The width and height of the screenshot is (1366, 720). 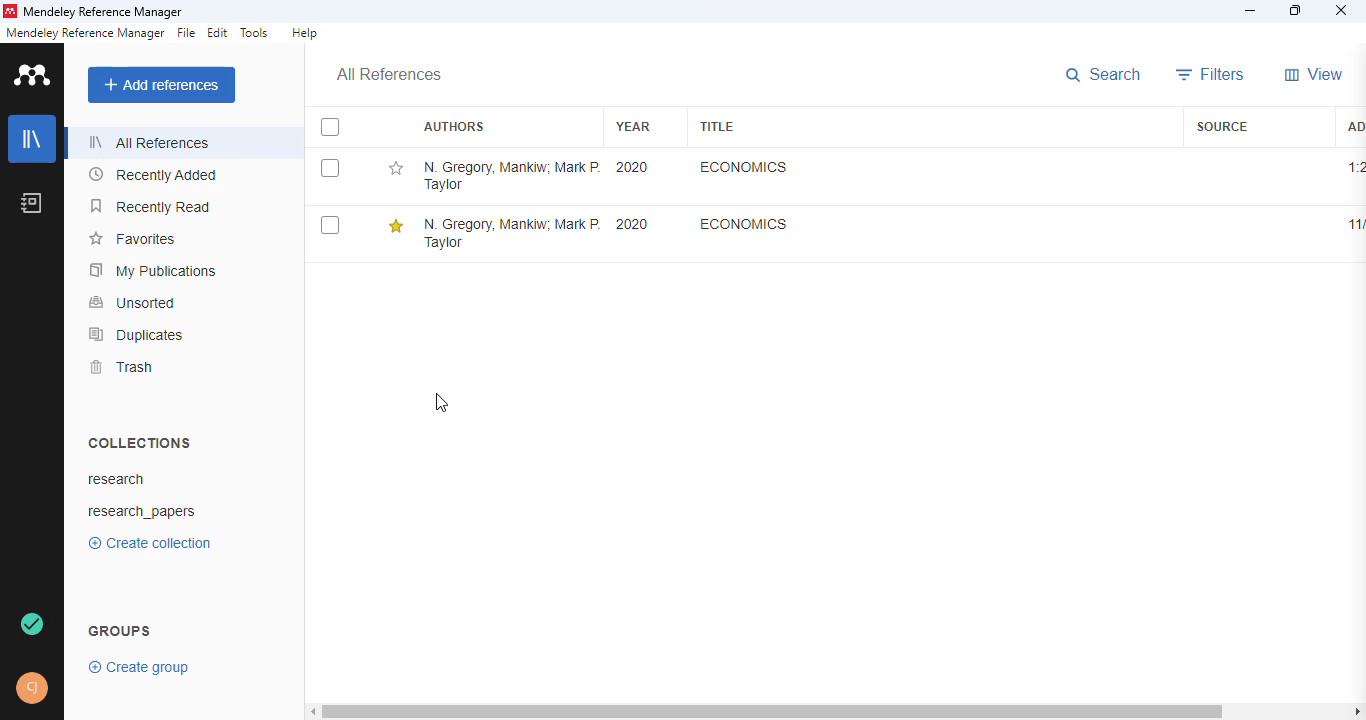 What do you see at coordinates (85, 33) in the screenshot?
I see `mendeley reference manager` at bounding box center [85, 33].